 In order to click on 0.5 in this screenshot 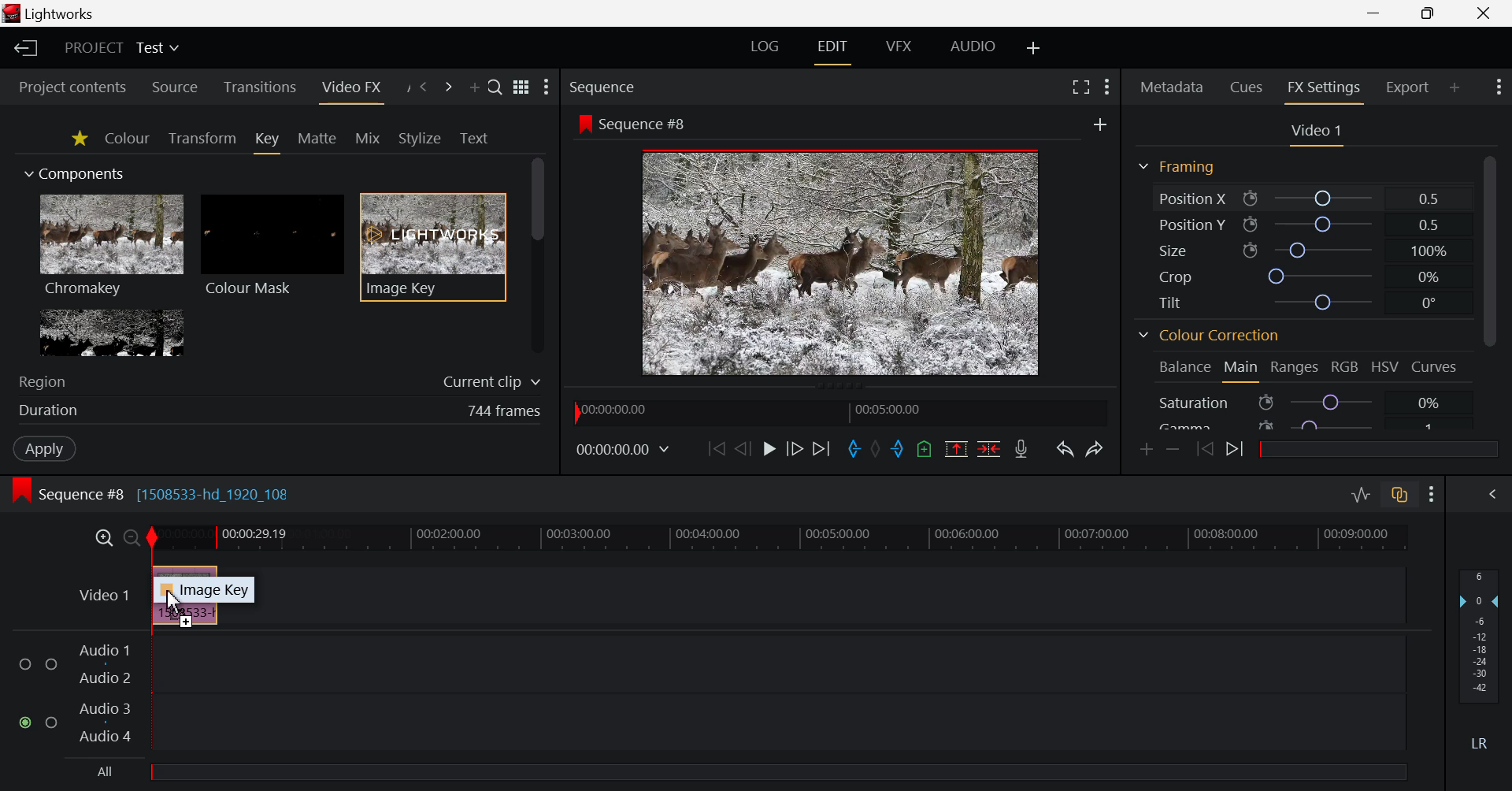, I will do `click(1429, 199)`.